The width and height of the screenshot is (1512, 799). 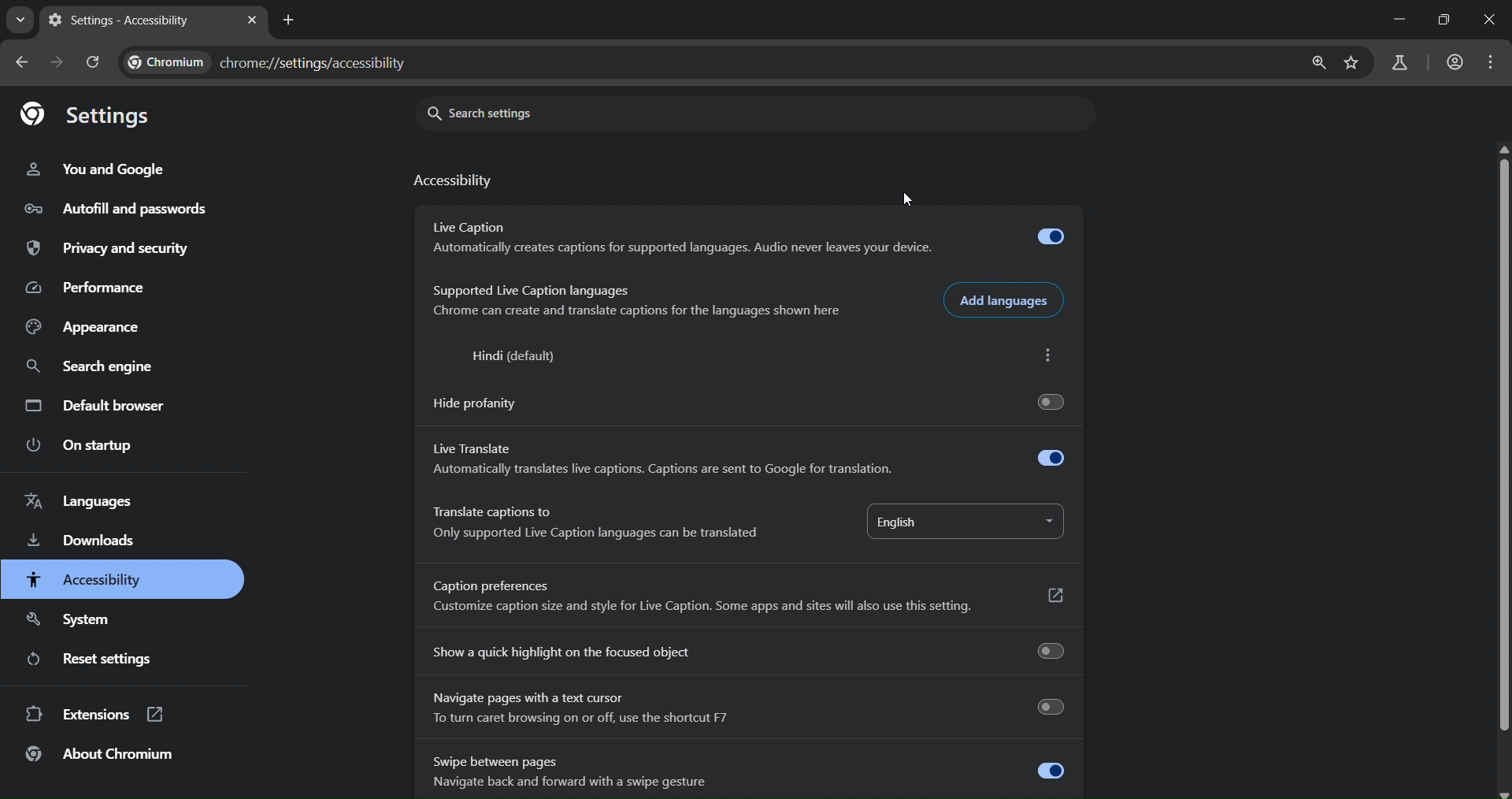 I want to click on Settings - Accessibility, so click(x=120, y=20).